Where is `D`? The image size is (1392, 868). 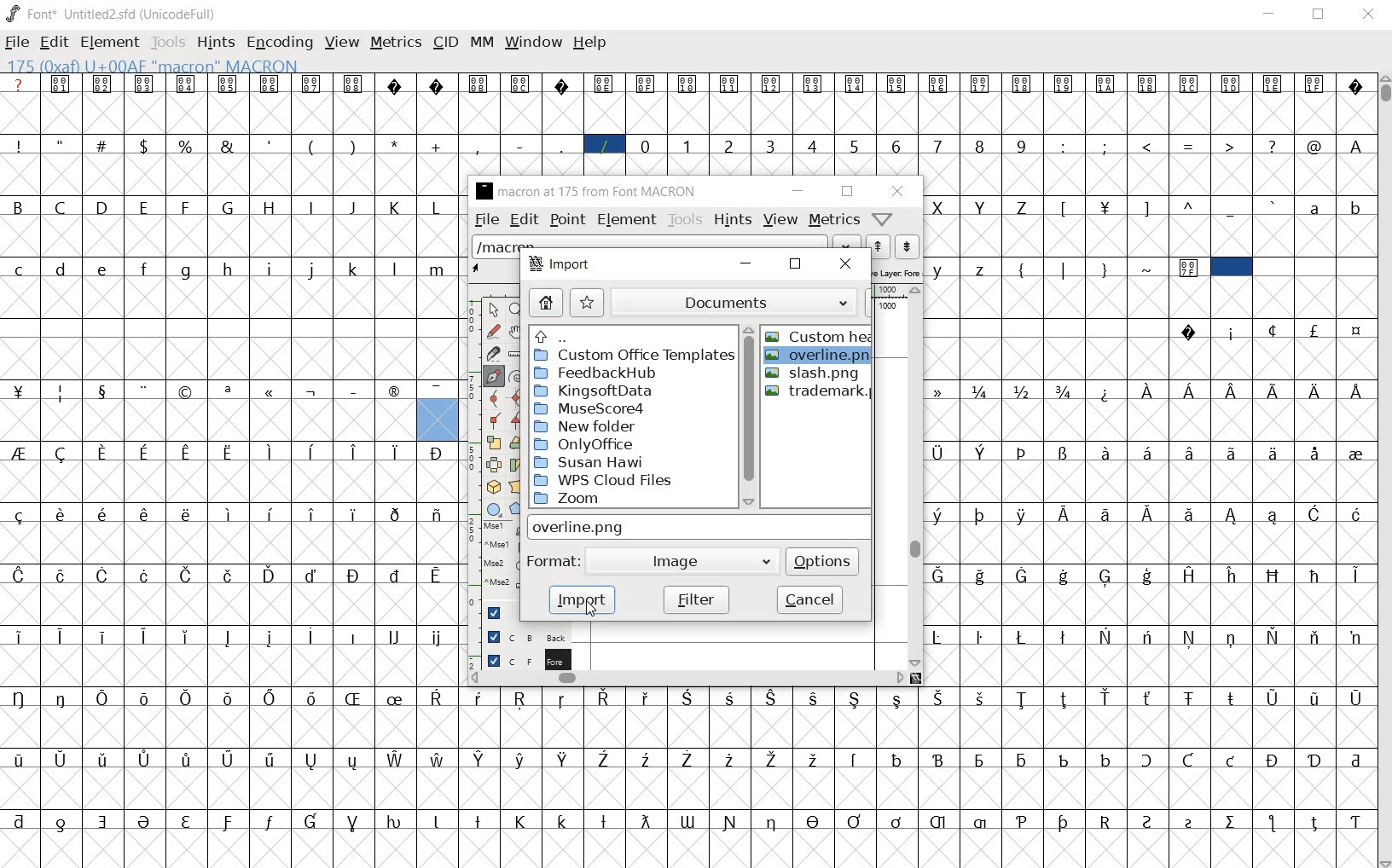 D is located at coordinates (104, 208).